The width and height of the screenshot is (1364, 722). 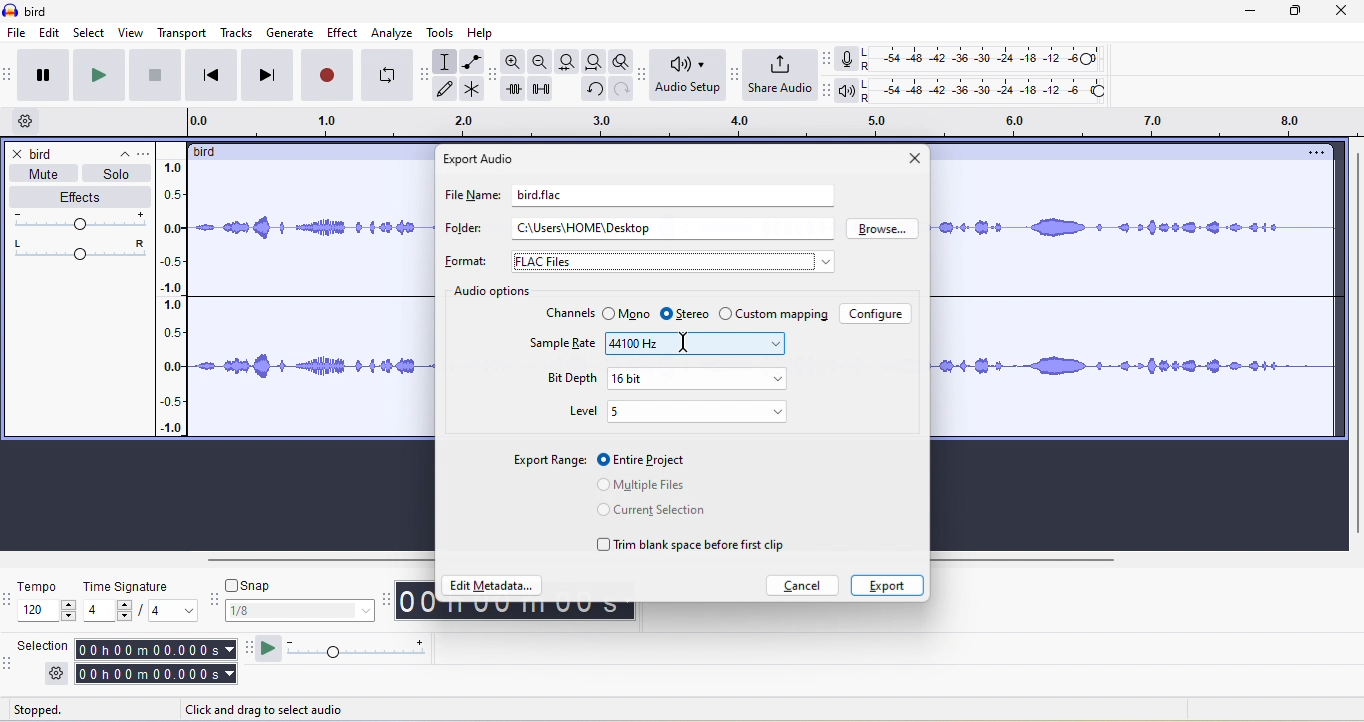 What do you see at coordinates (450, 90) in the screenshot?
I see `draw tool` at bounding box center [450, 90].